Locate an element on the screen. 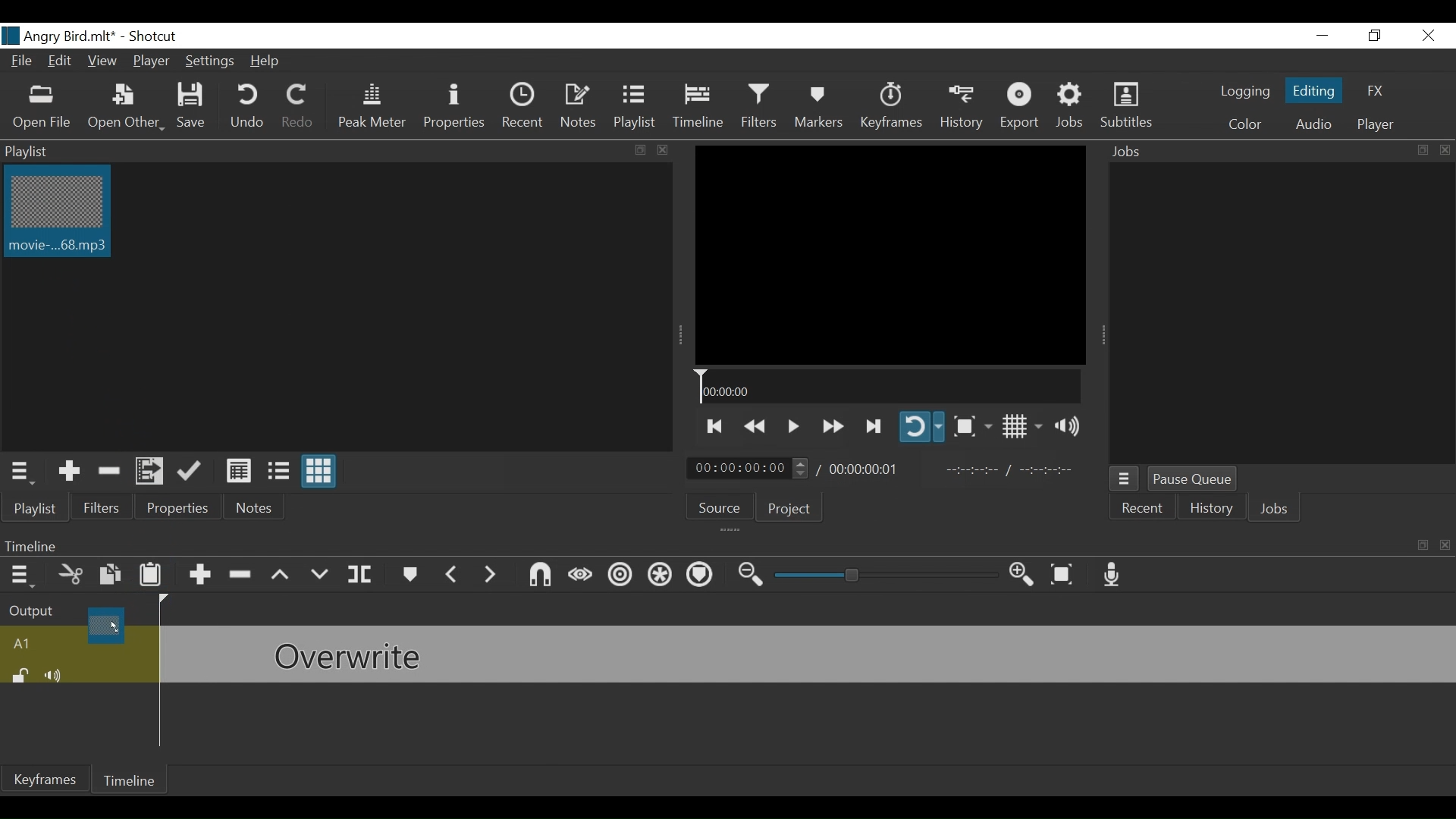  Close is located at coordinates (1429, 36).